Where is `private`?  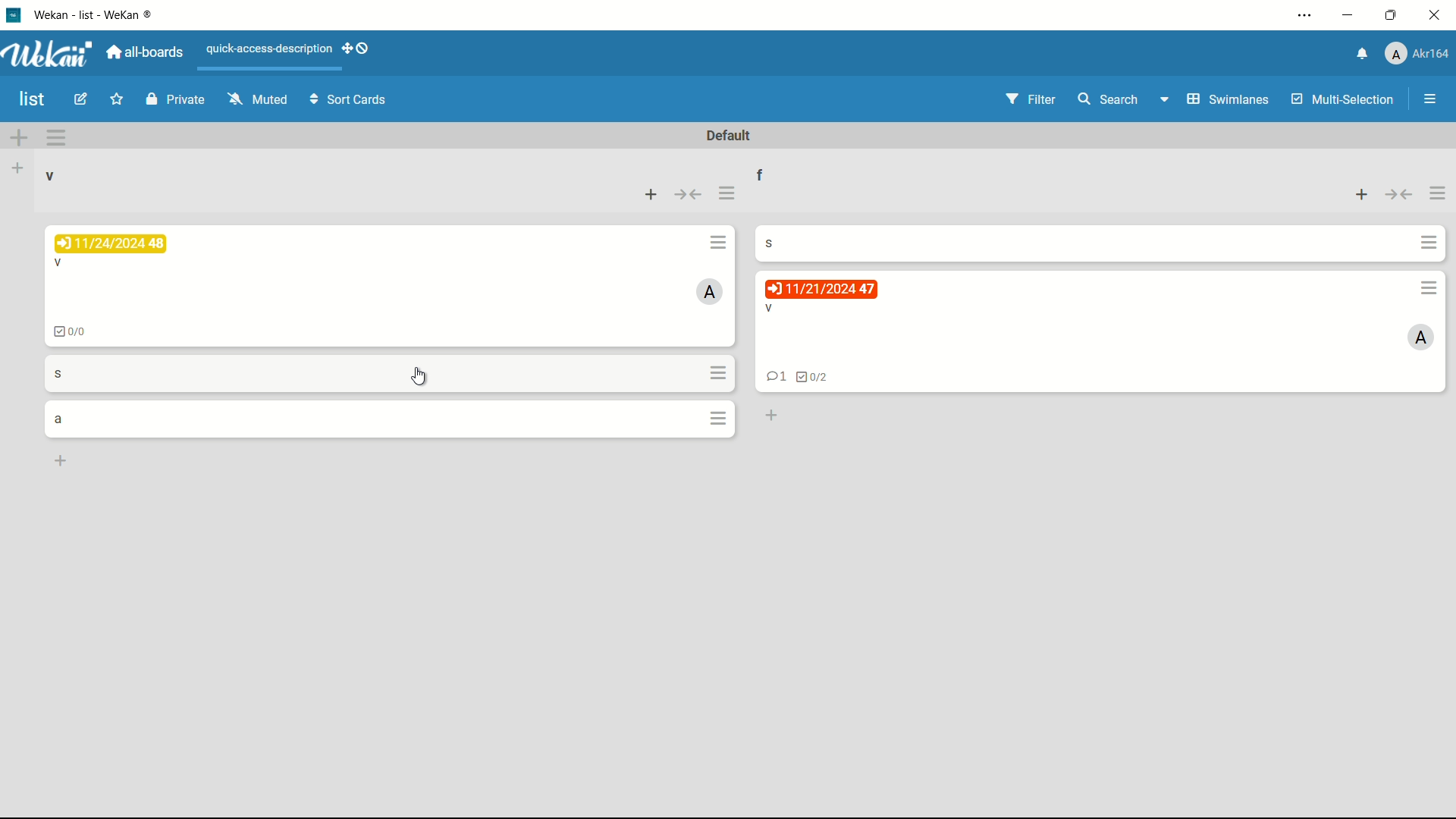
private is located at coordinates (174, 99).